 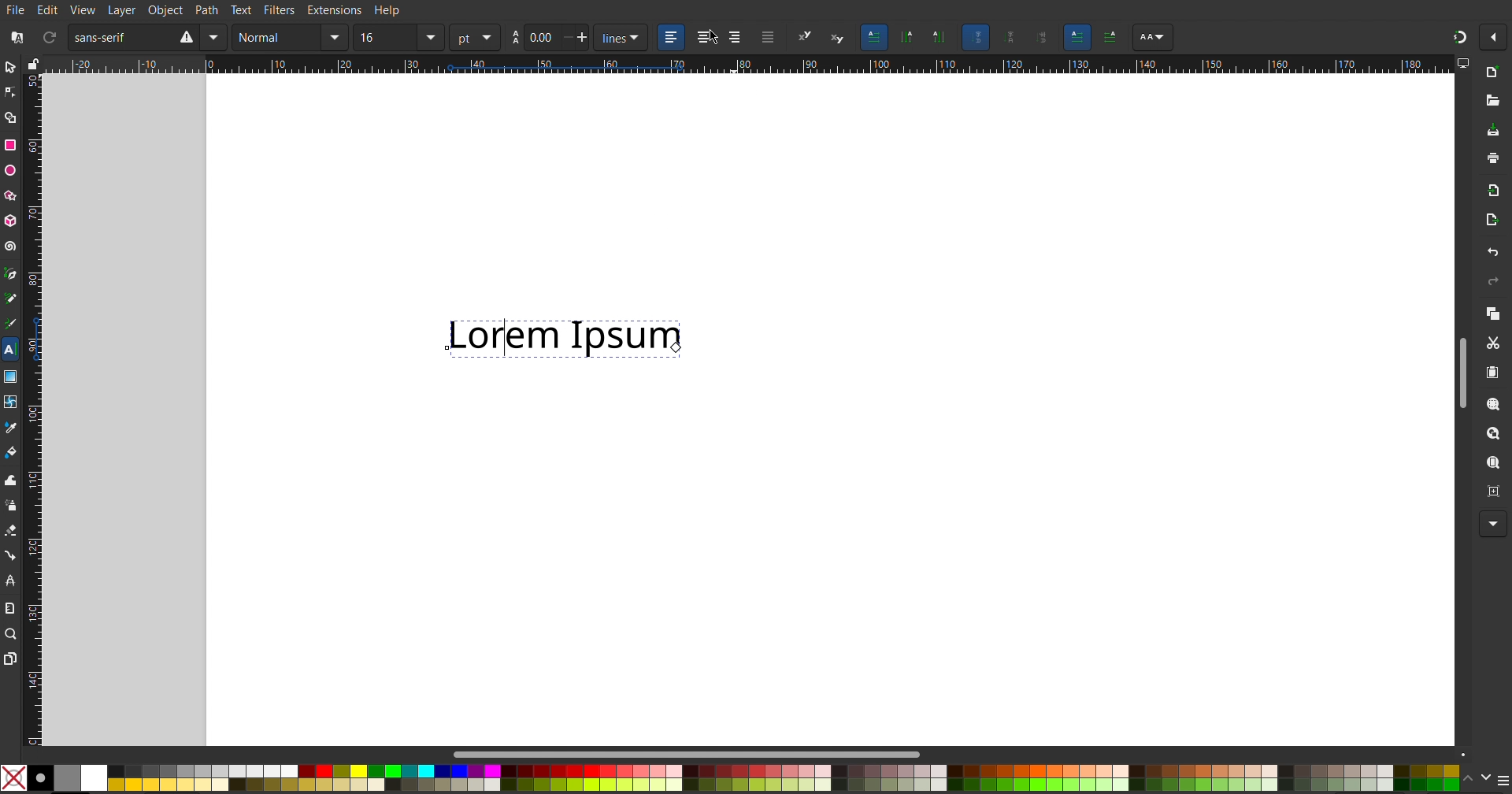 I want to click on Scroll Bar, so click(x=1459, y=371).